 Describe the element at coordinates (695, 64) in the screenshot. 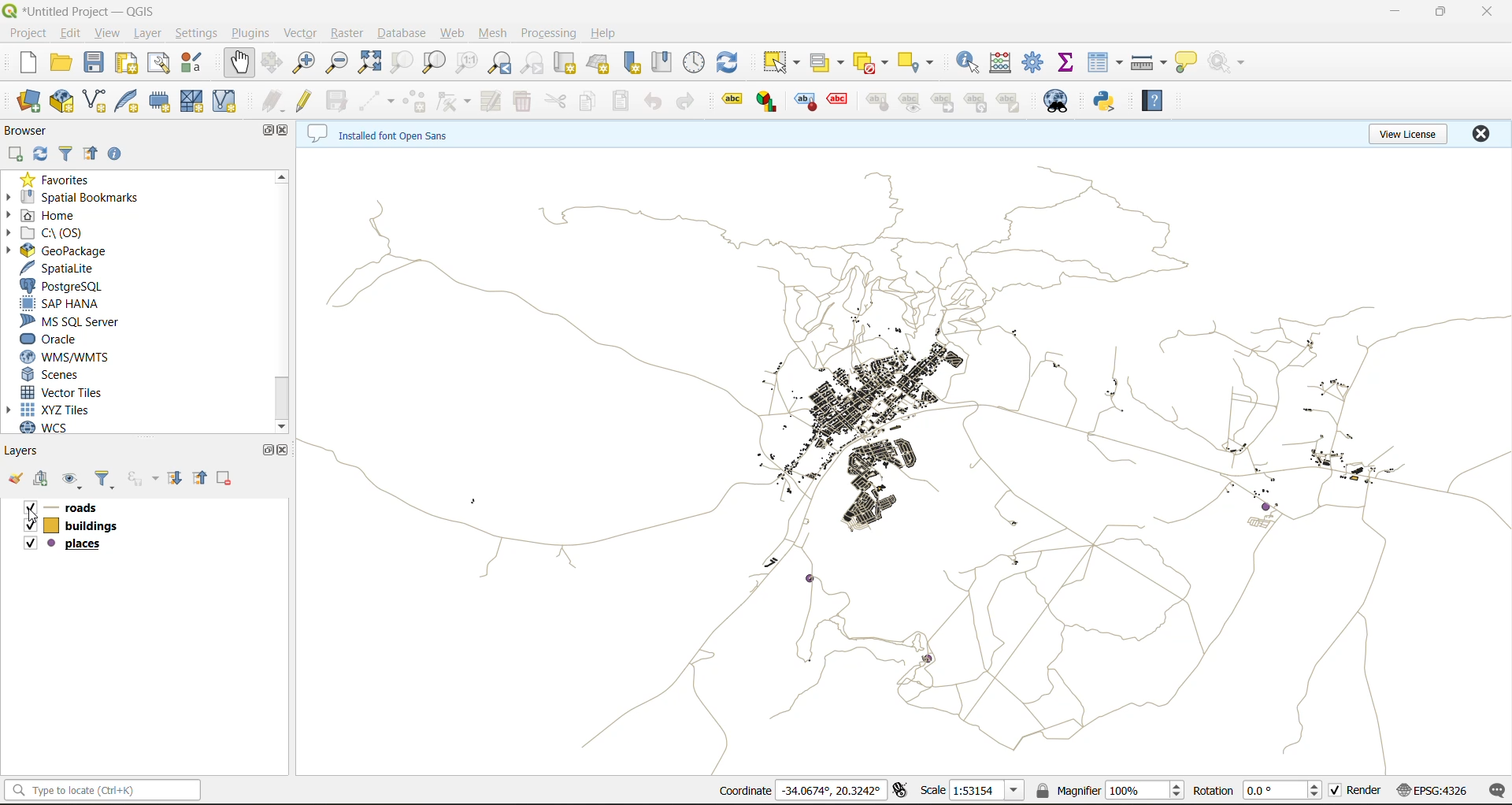

I see `control panel` at that location.